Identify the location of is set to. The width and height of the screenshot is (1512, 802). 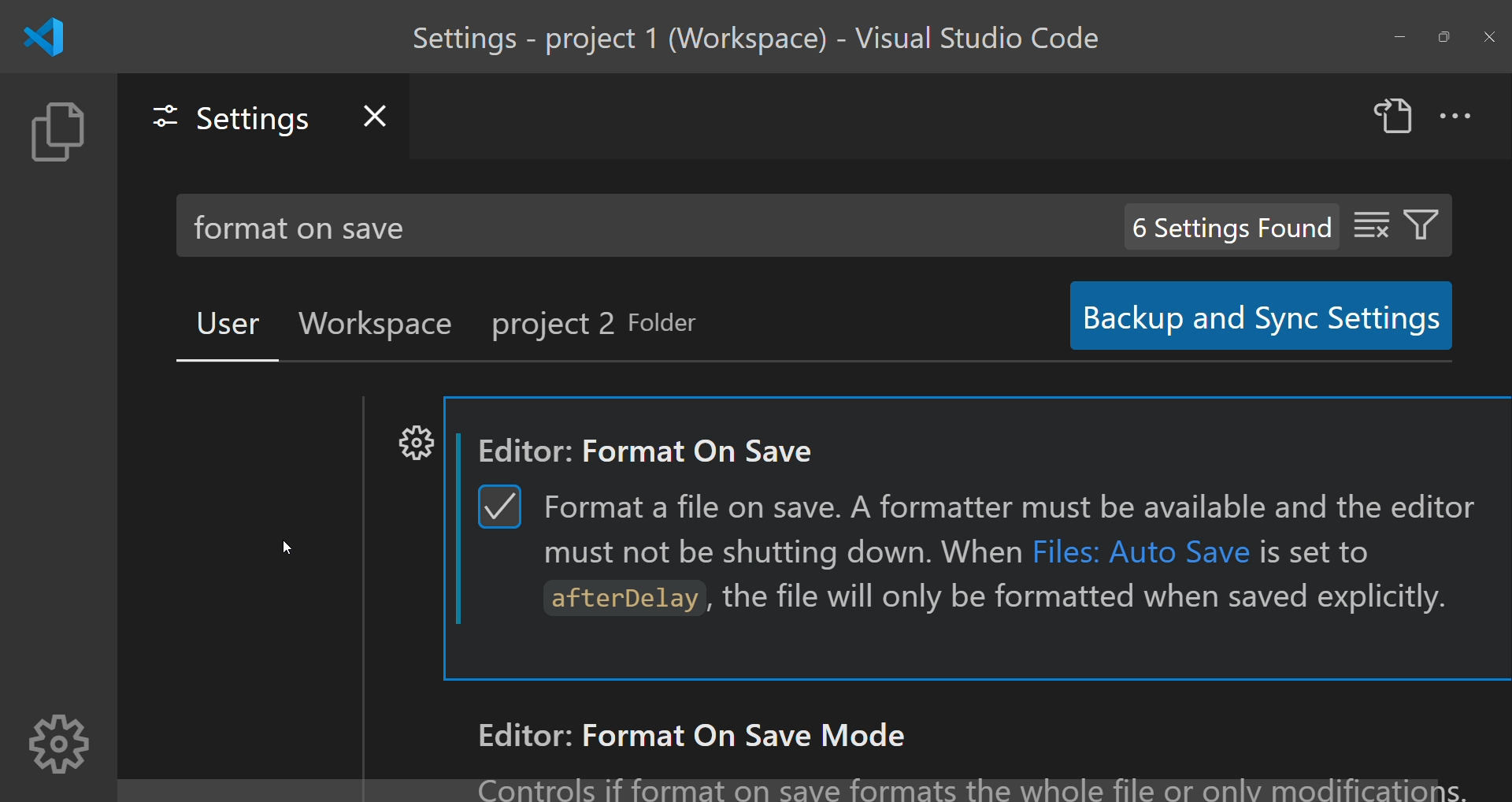
(1318, 551).